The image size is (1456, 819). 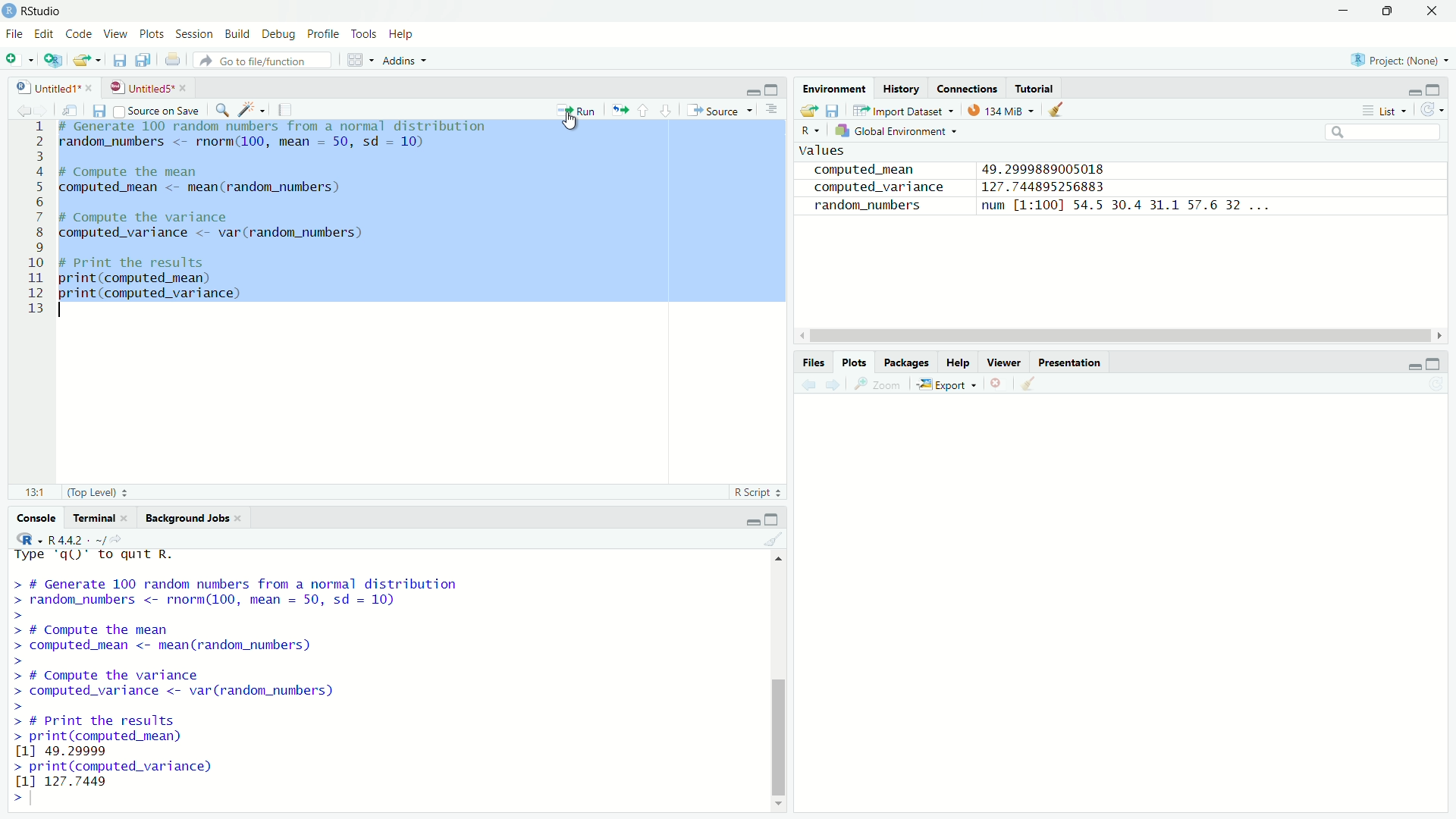 I want to click on RStudio, so click(x=45, y=10).